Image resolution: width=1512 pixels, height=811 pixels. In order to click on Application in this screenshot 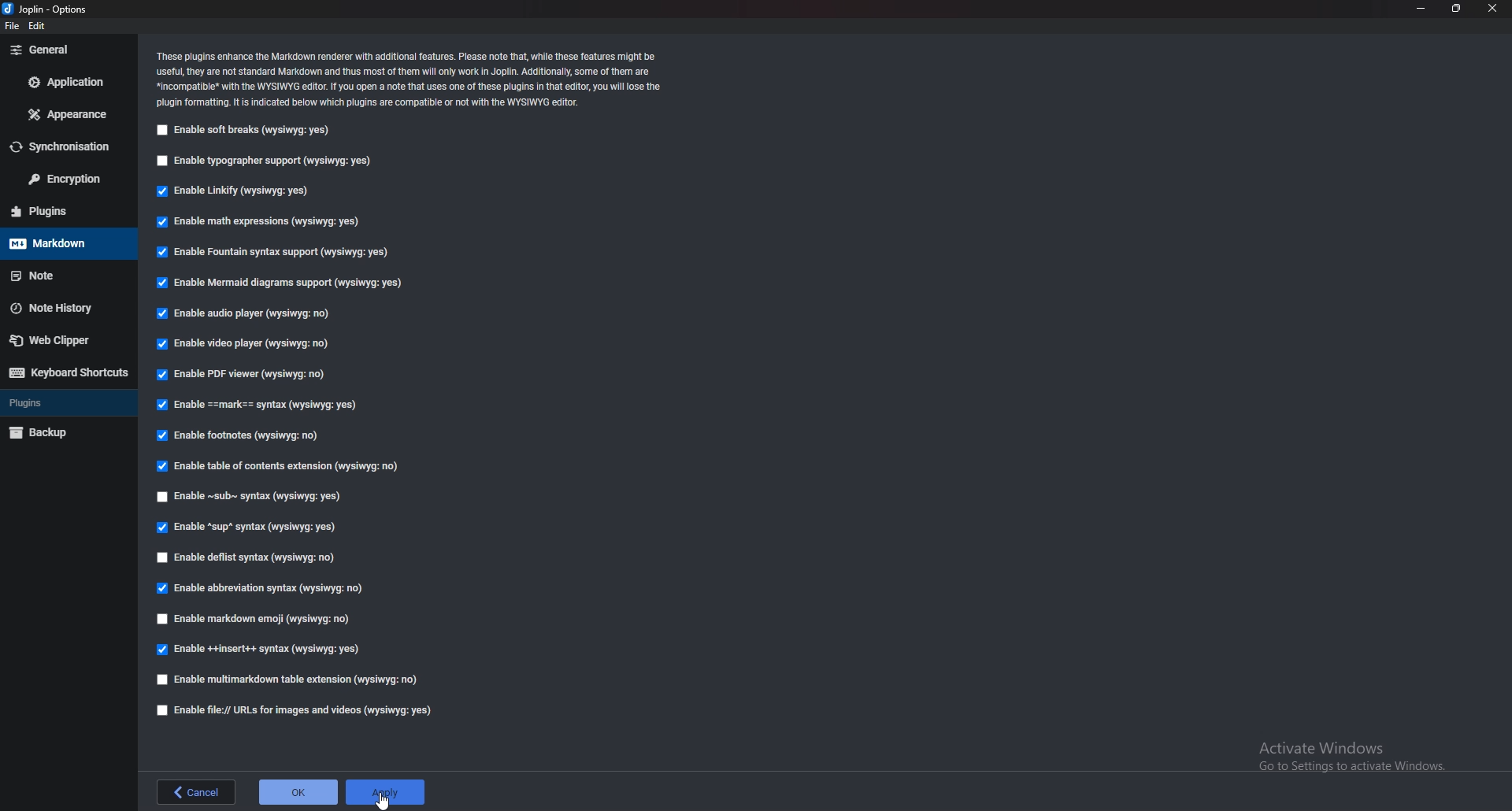, I will do `click(67, 84)`.